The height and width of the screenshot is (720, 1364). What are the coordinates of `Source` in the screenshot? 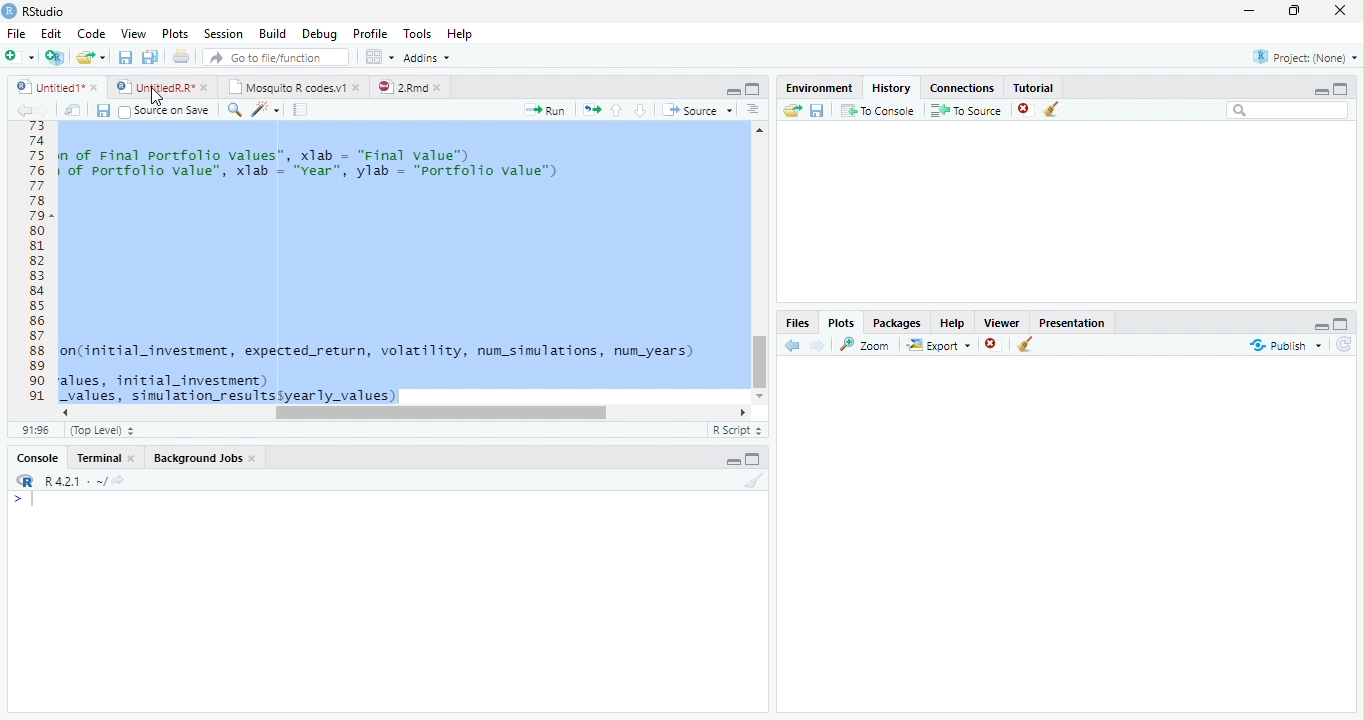 It's located at (696, 109).